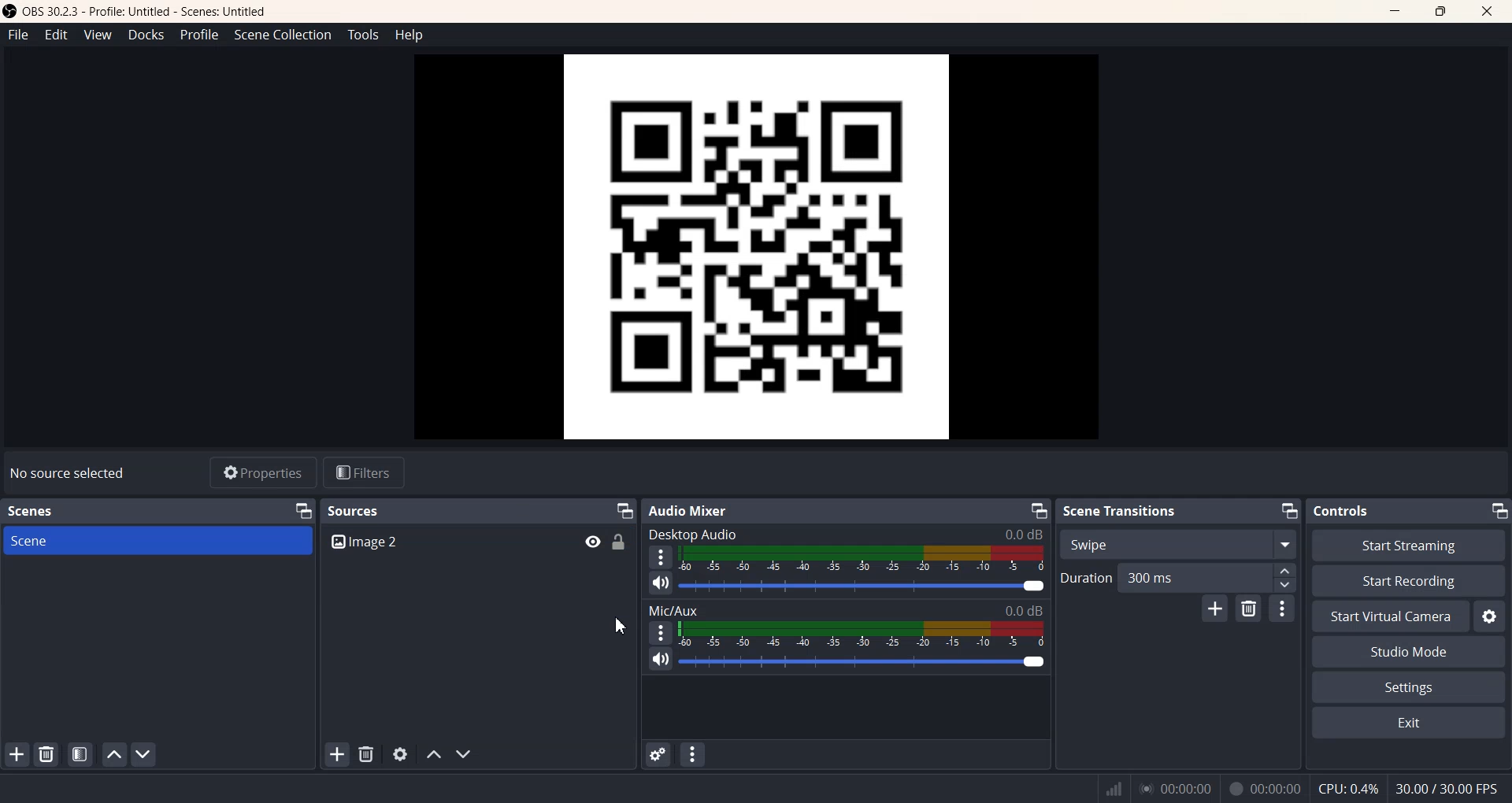 This screenshot has width=1512, height=803. Describe the element at coordinates (281, 35) in the screenshot. I see `Scene Collection` at that location.